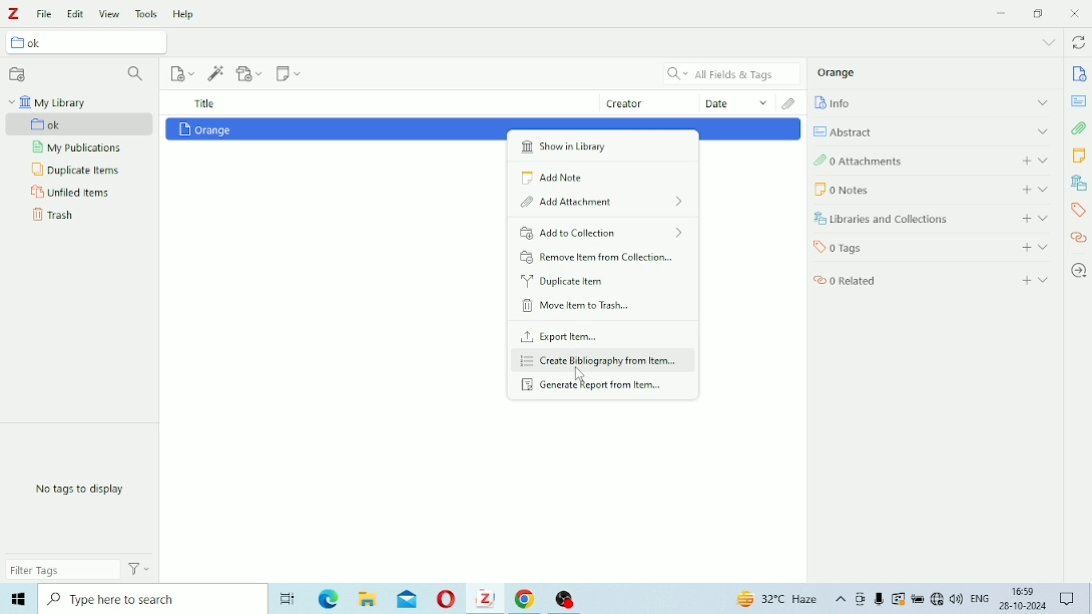 The width and height of the screenshot is (1092, 614). Describe the element at coordinates (932, 246) in the screenshot. I see `Tags` at that location.